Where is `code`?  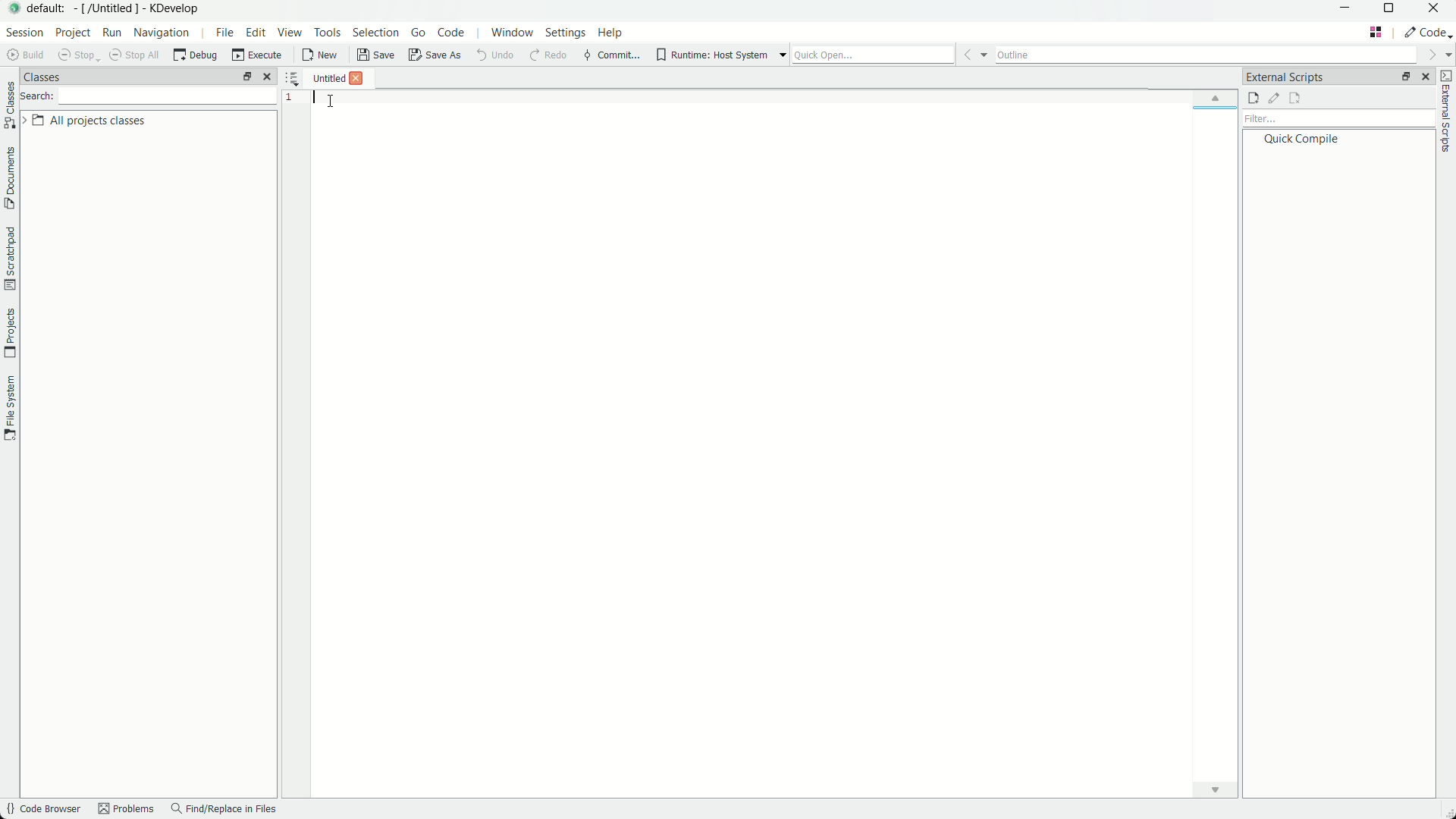
code is located at coordinates (452, 35).